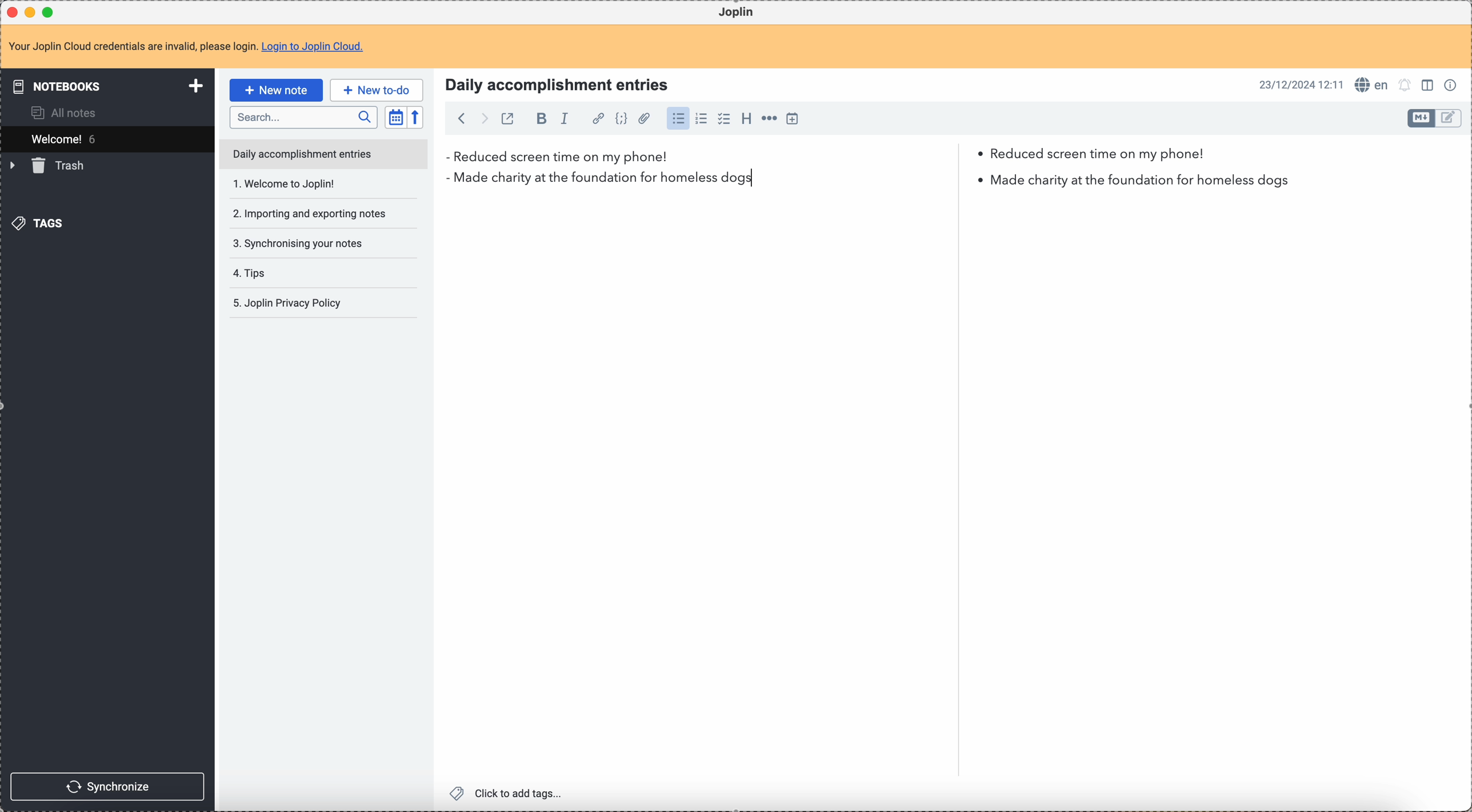 This screenshot has height=812, width=1472. What do you see at coordinates (555, 83) in the screenshot?
I see `Title` at bounding box center [555, 83].